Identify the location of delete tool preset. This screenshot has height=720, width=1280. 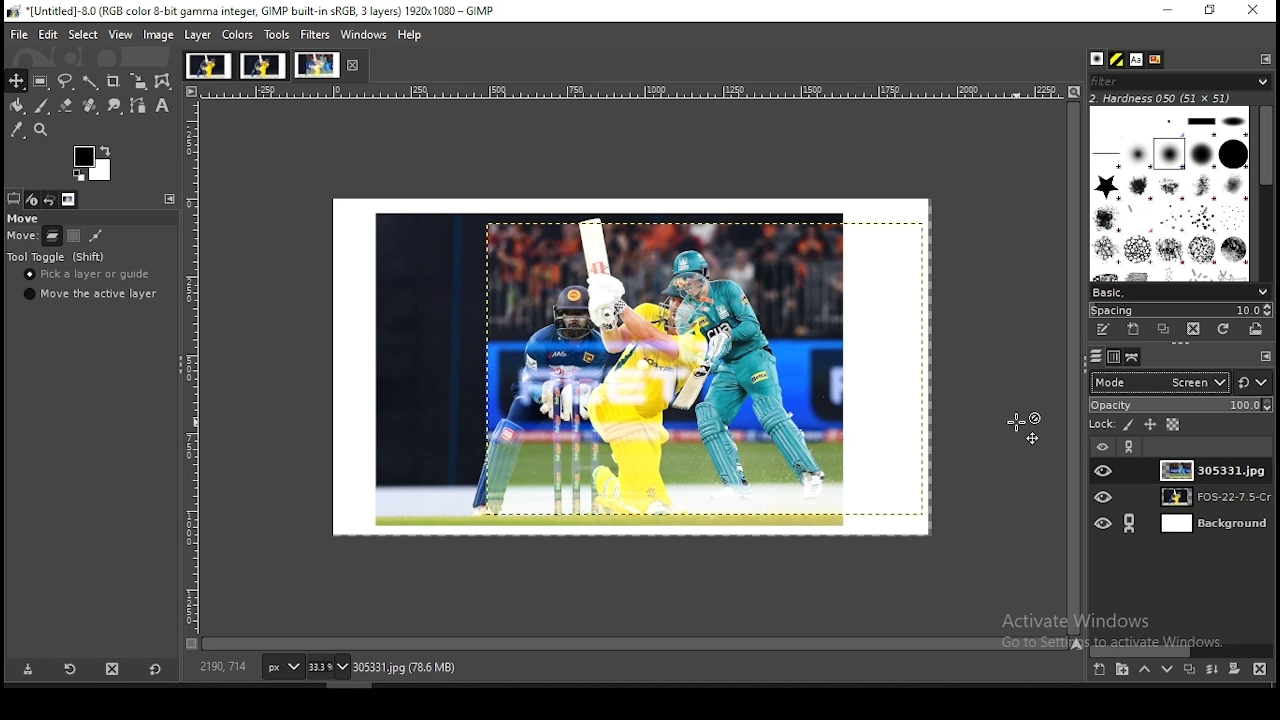
(110, 669).